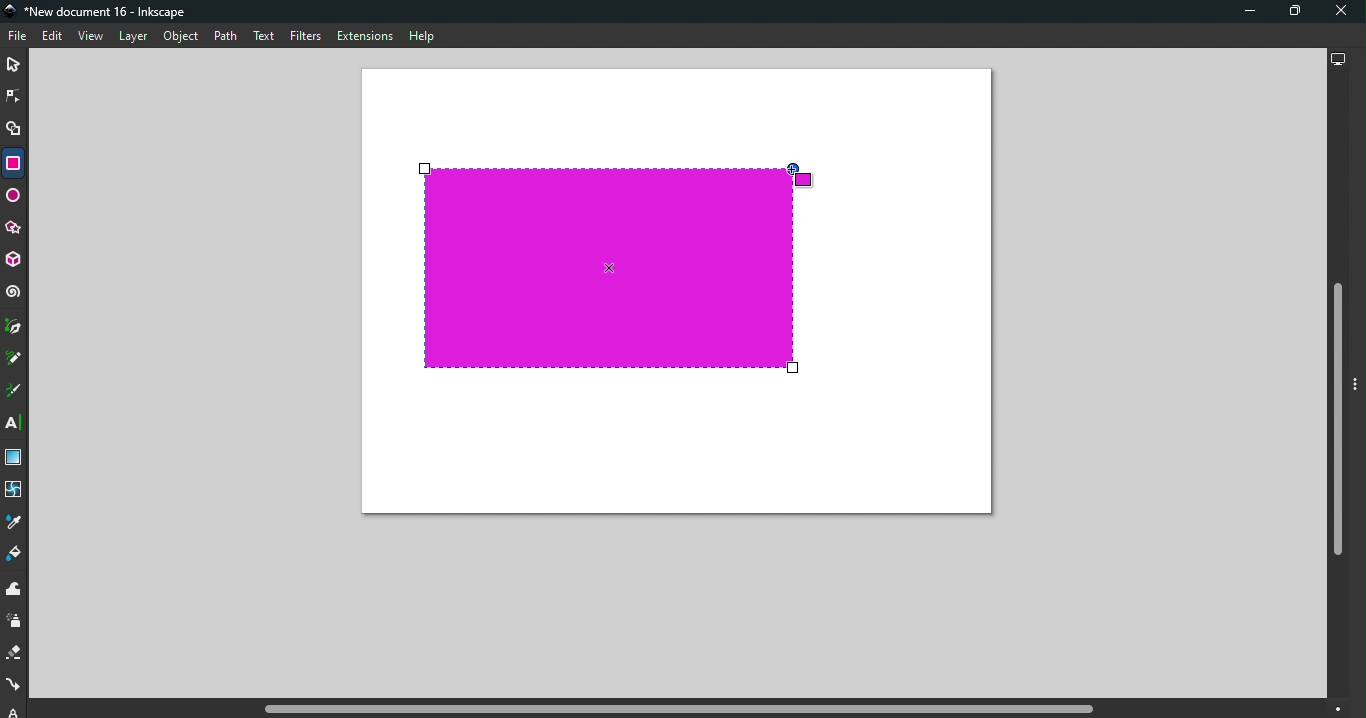 The height and width of the screenshot is (718, 1366). Describe the element at coordinates (17, 357) in the screenshot. I see `Pencil tool` at that location.